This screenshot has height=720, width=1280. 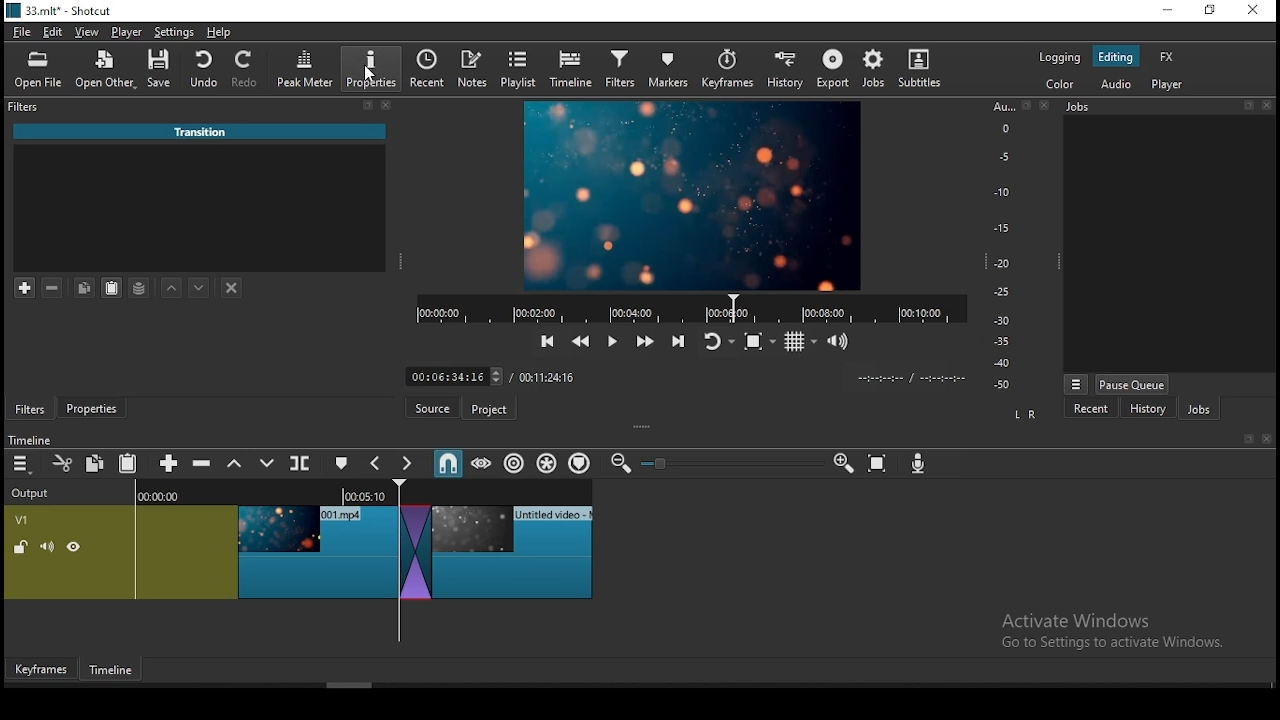 What do you see at coordinates (1269, 105) in the screenshot?
I see `` at bounding box center [1269, 105].